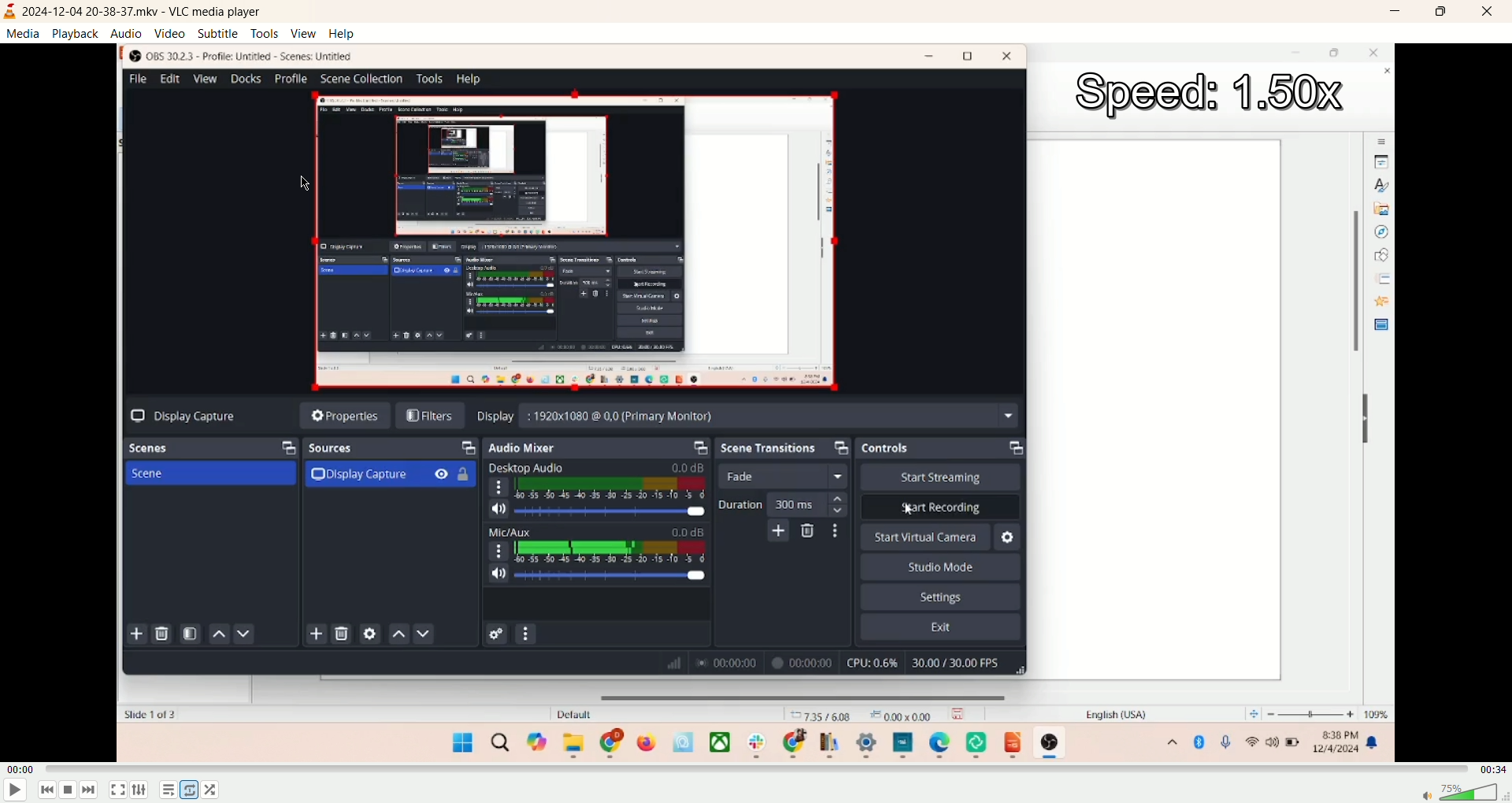  I want to click on logo, so click(11, 12).